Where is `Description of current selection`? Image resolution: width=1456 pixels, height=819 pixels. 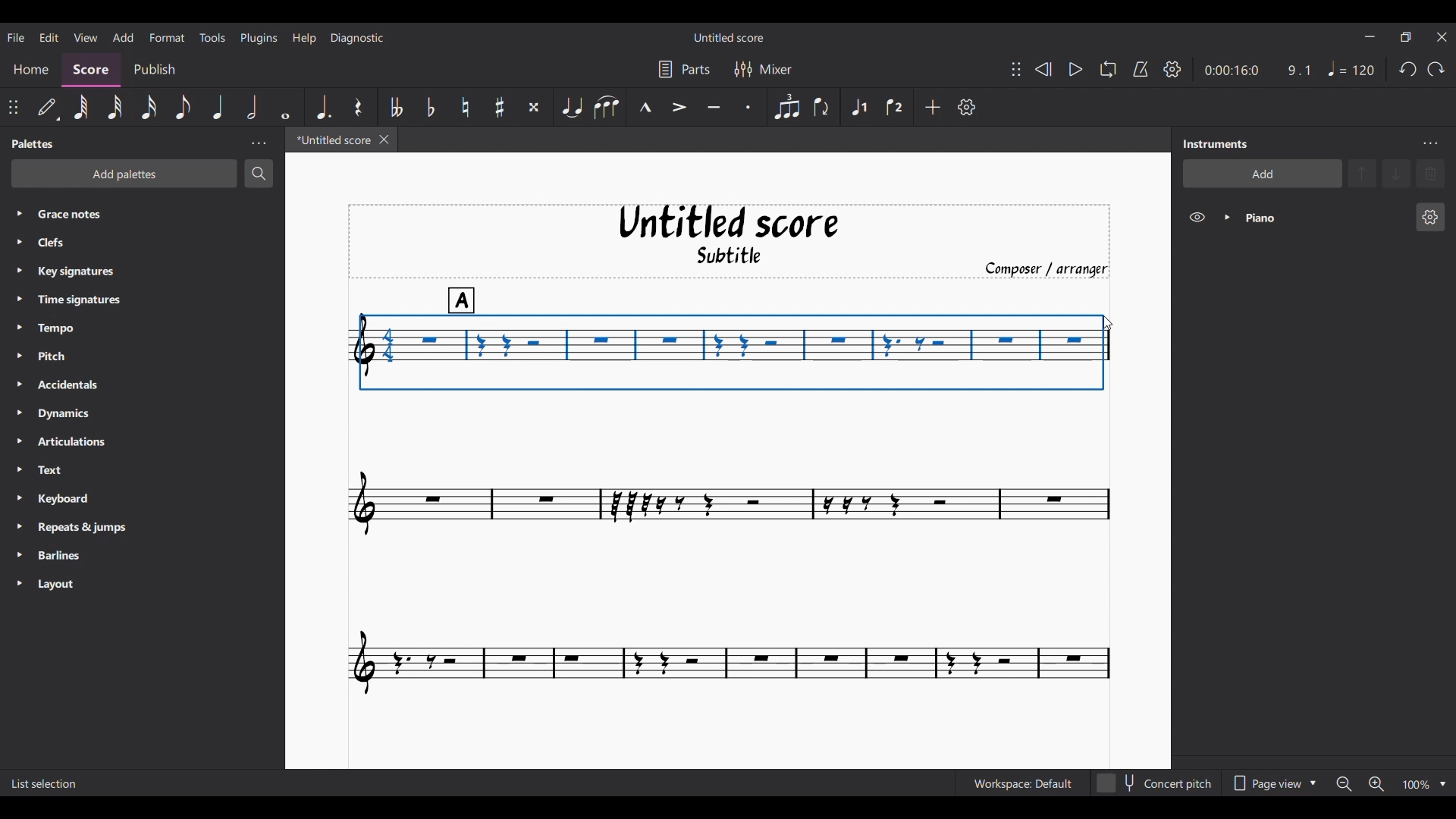
Description of current selection is located at coordinates (45, 785).